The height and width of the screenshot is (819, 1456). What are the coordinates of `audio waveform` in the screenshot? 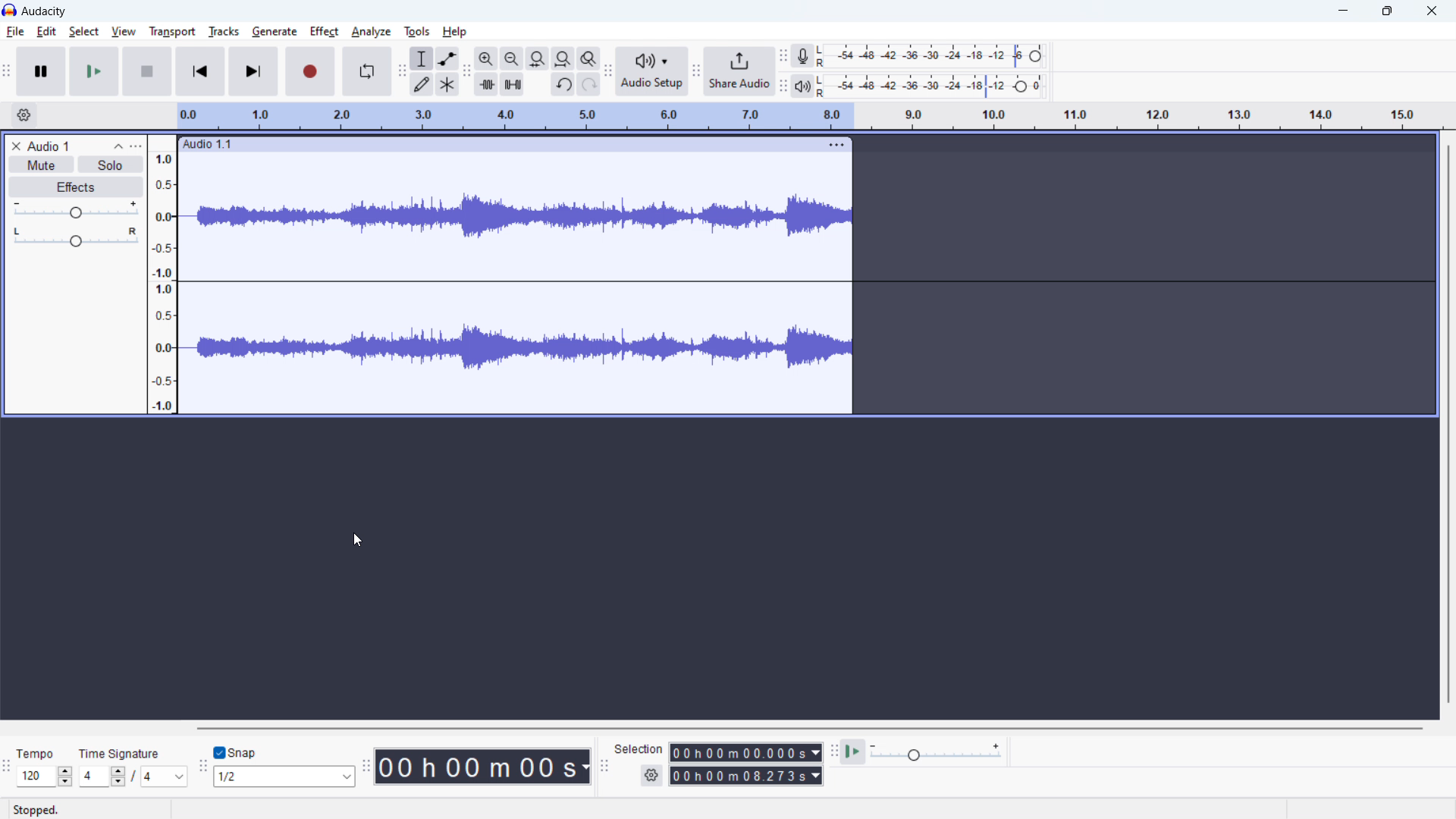 It's located at (516, 281).